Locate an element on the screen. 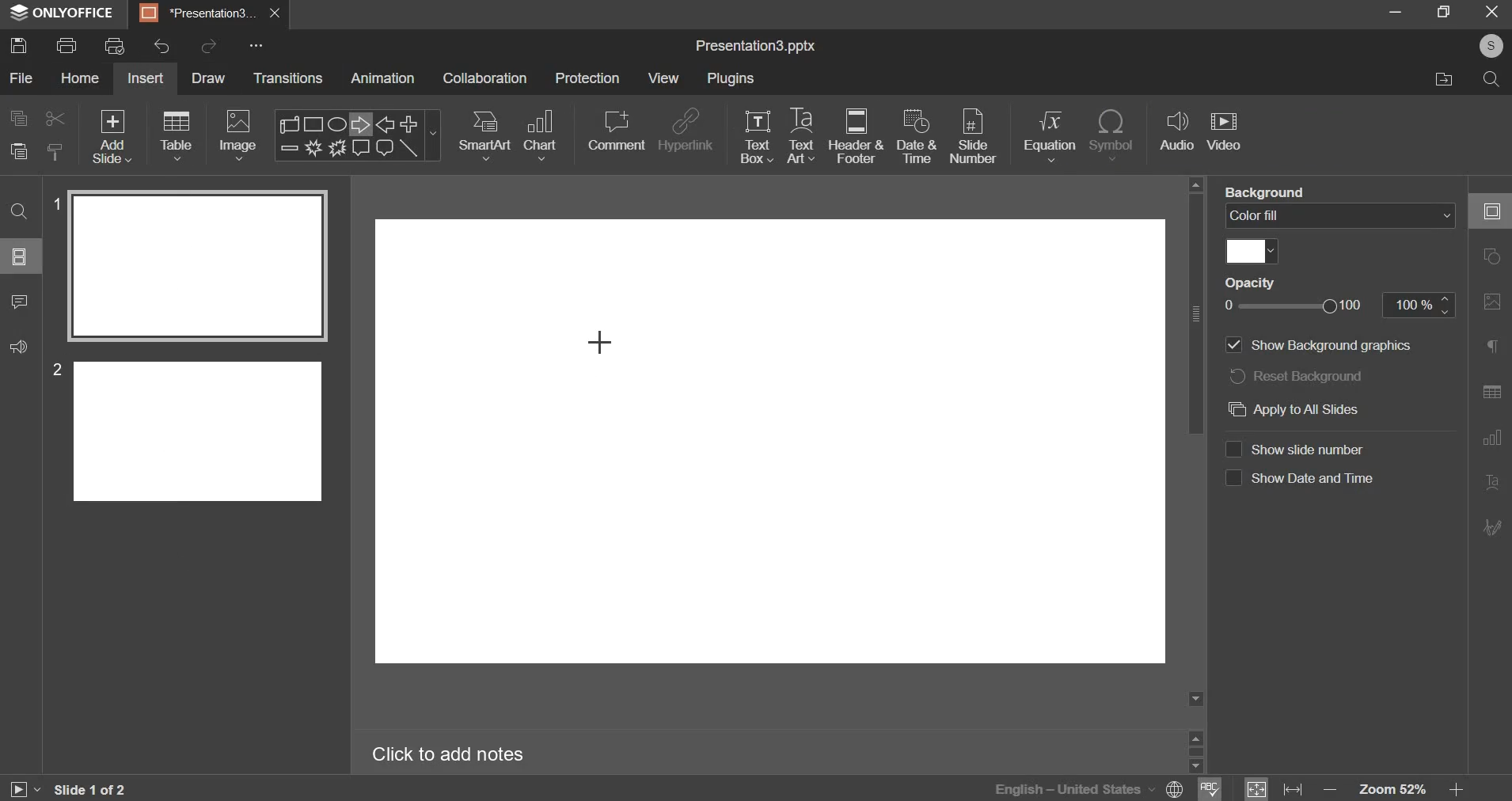 The image size is (1512, 801). line is located at coordinates (409, 148).